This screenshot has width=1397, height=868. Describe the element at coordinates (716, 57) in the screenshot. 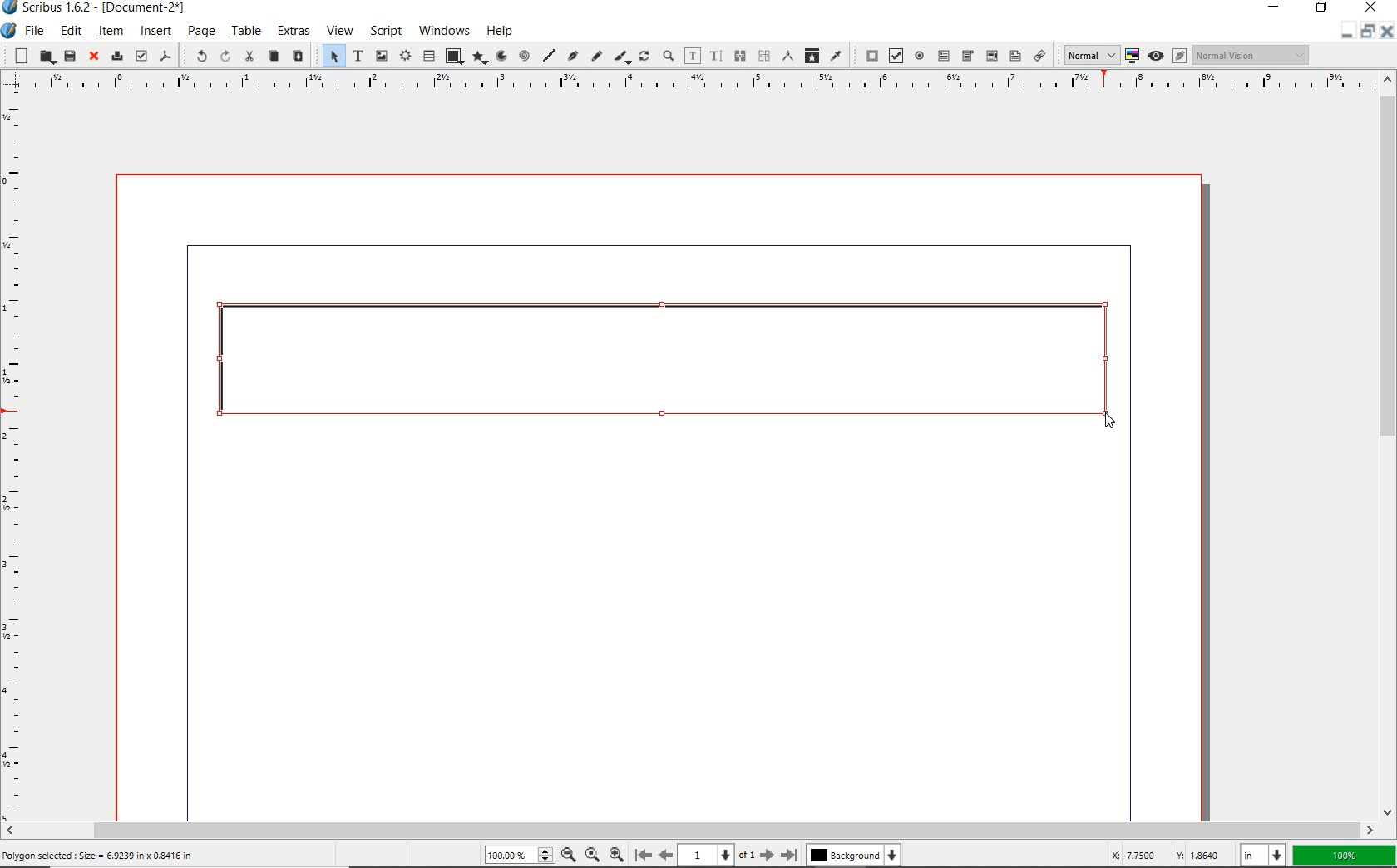

I see `edit text with story editor` at that location.